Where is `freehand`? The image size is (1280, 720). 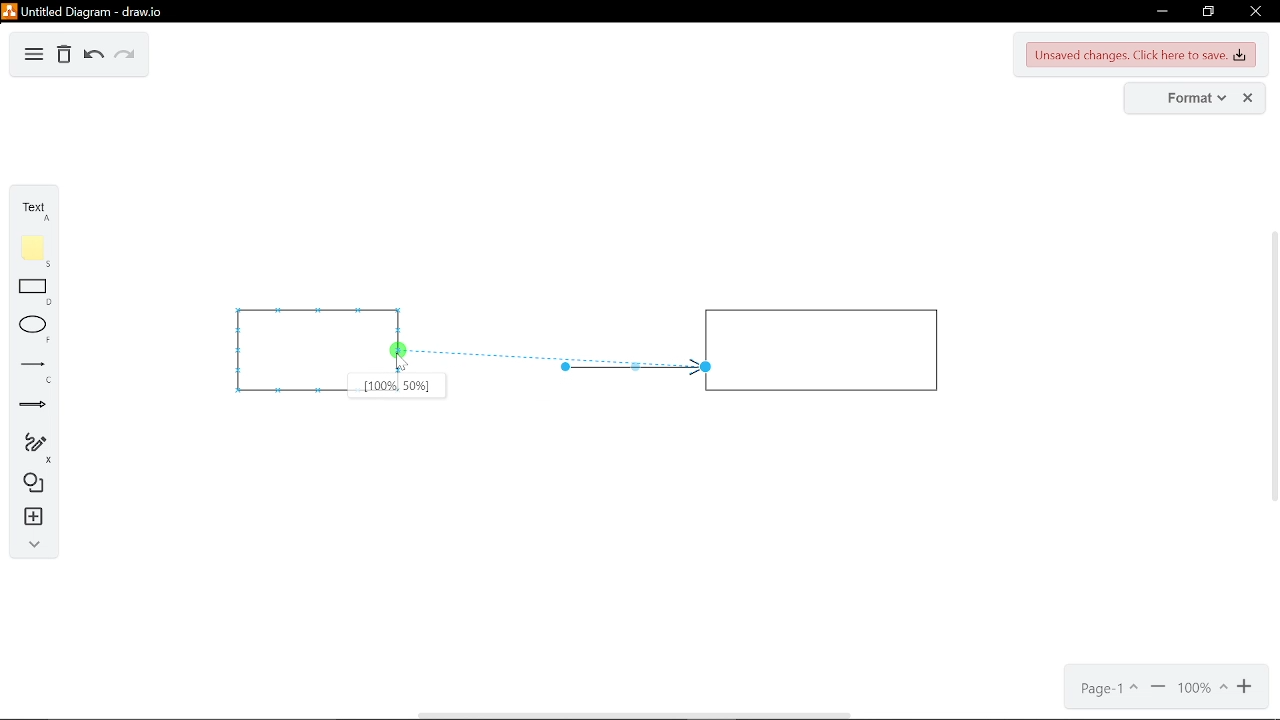 freehand is located at coordinates (30, 447).